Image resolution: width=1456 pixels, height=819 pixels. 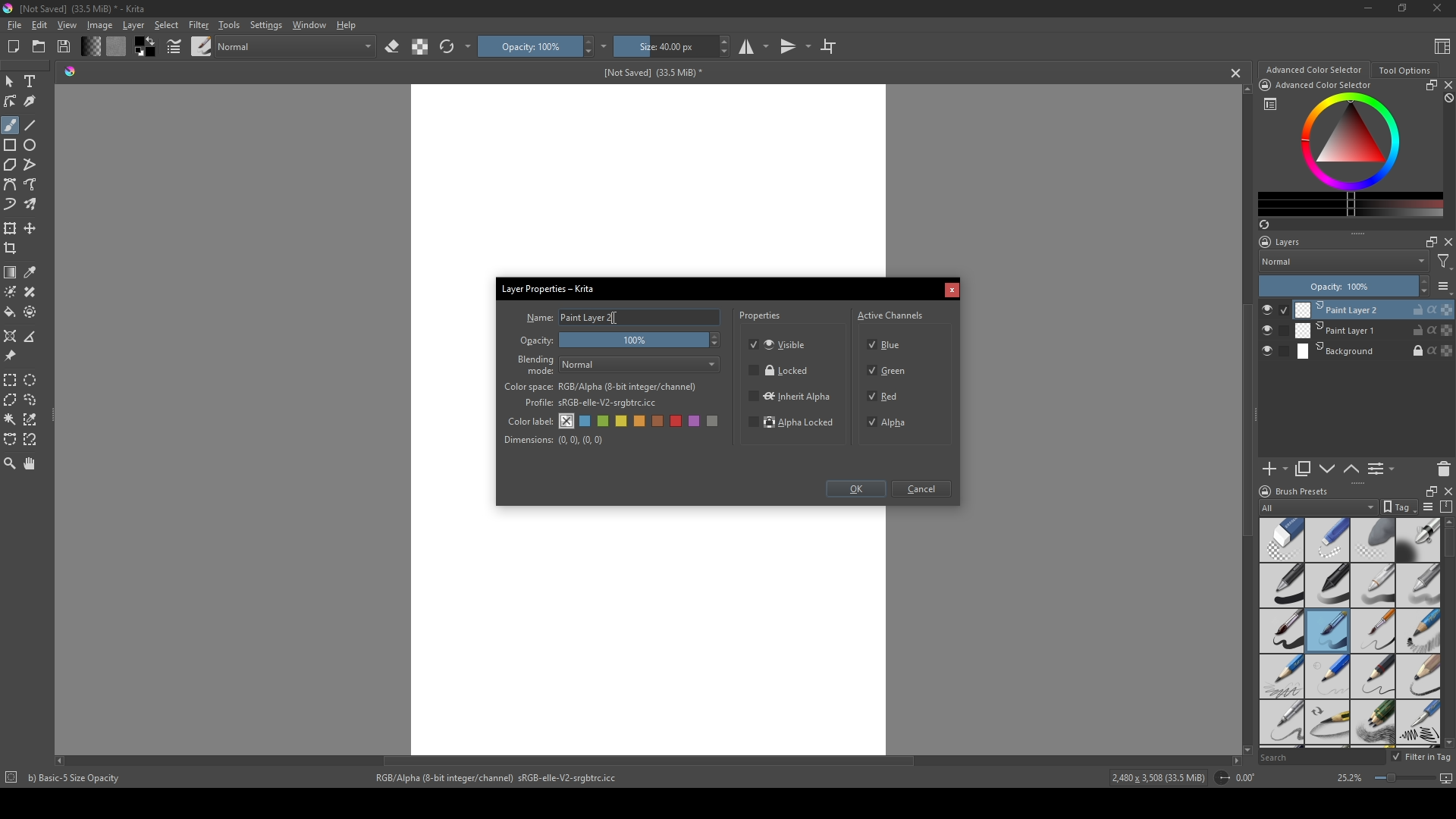 What do you see at coordinates (538, 318) in the screenshot?
I see `Name:` at bounding box center [538, 318].